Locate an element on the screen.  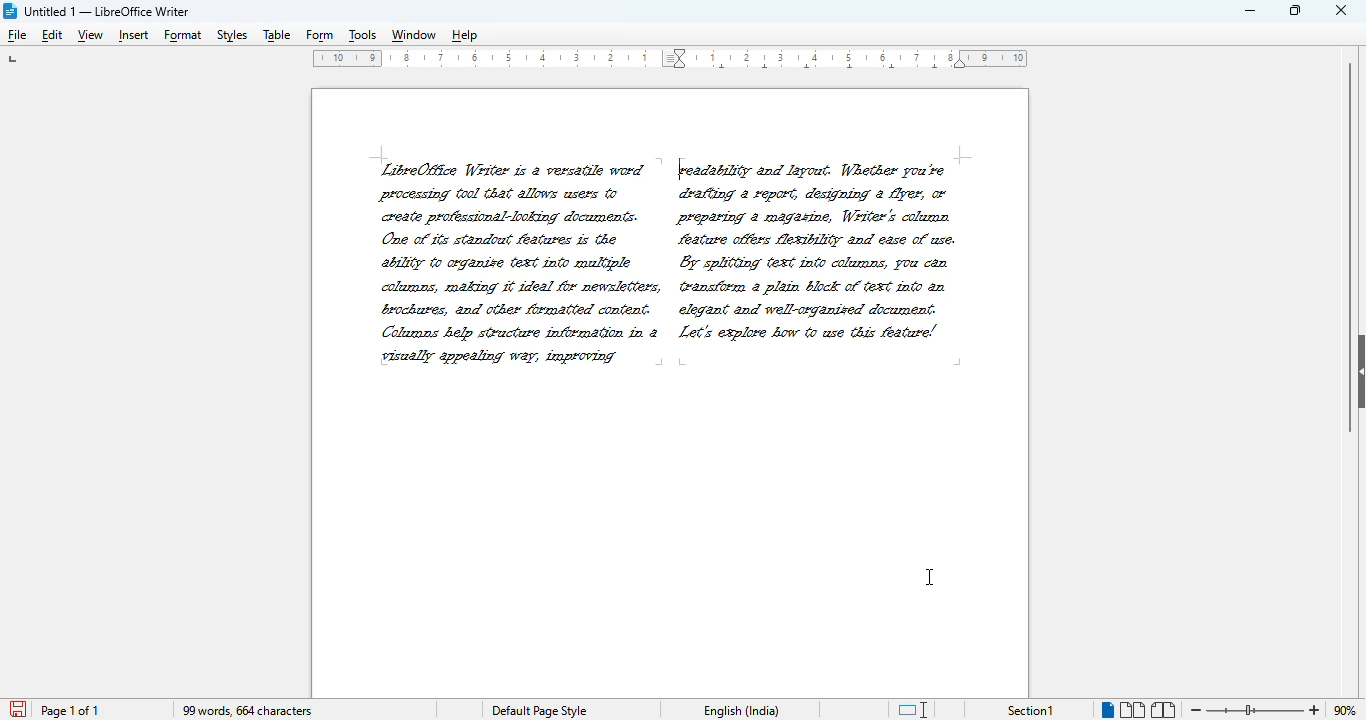
8, 8, 10 is located at coordinates (986, 55).